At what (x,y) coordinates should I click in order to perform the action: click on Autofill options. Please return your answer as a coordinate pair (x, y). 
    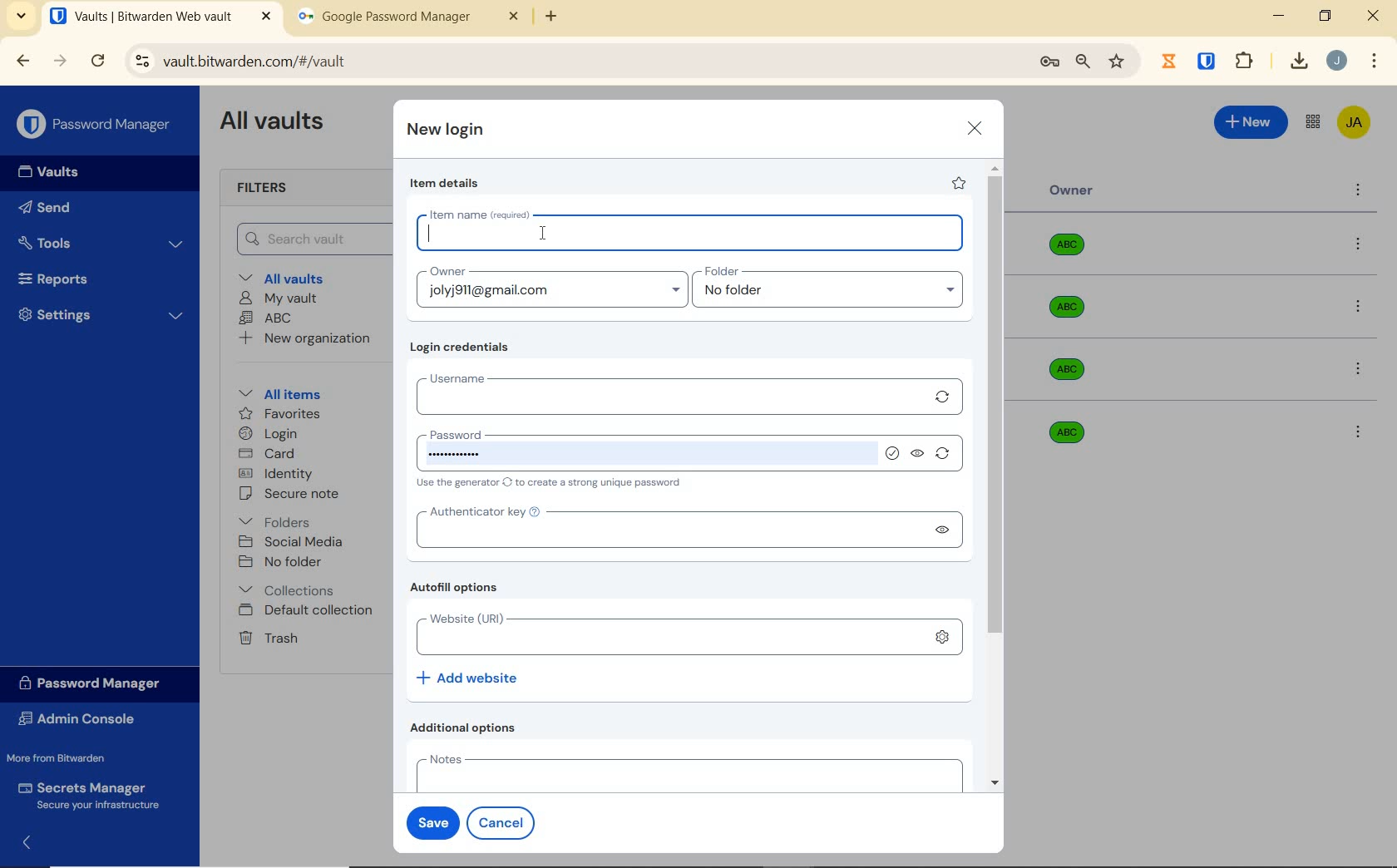
    Looking at the image, I should click on (458, 589).